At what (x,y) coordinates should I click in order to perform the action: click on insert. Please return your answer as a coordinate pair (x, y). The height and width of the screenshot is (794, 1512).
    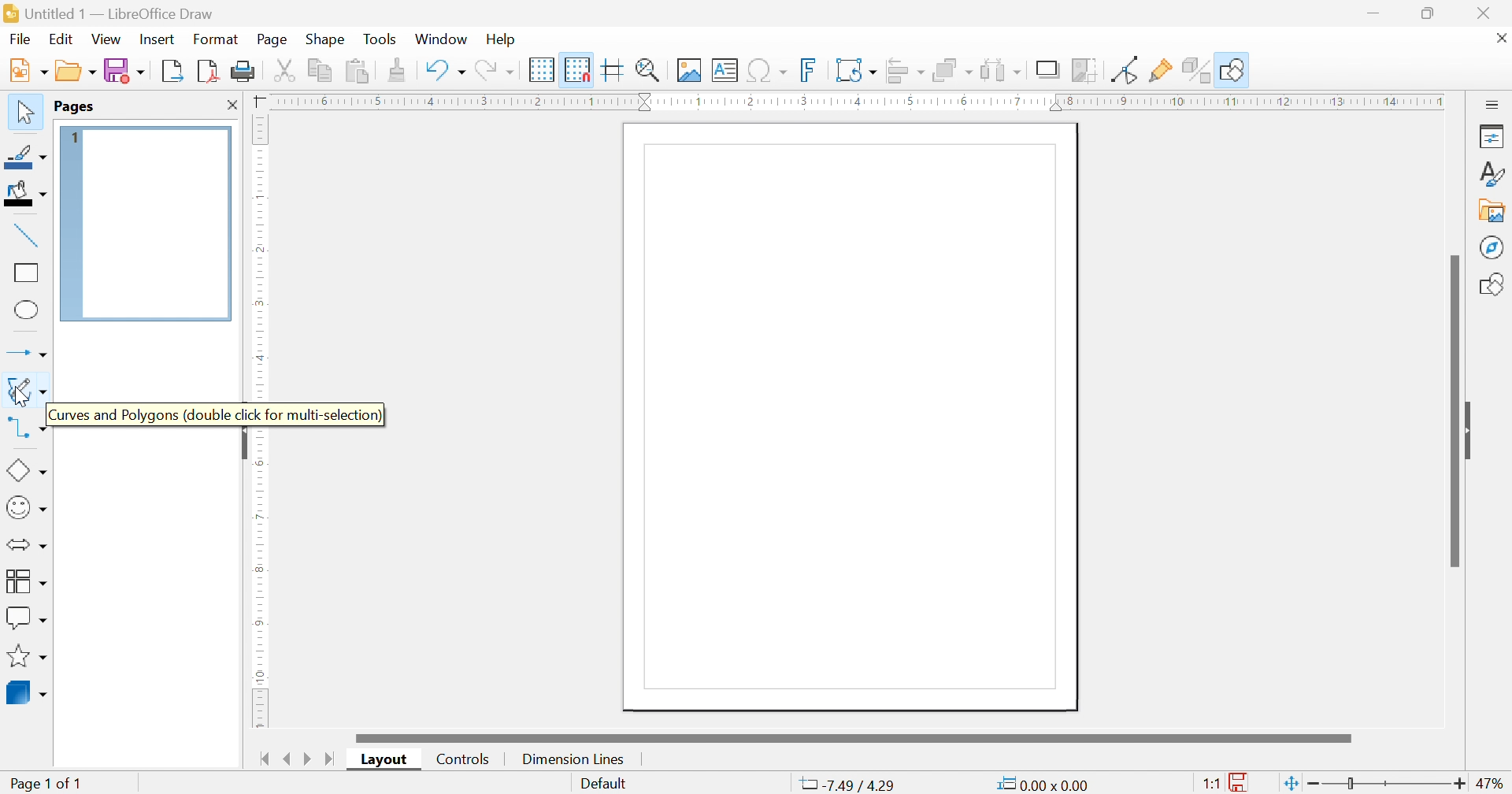
    Looking at the image, I should click on (156, 39).